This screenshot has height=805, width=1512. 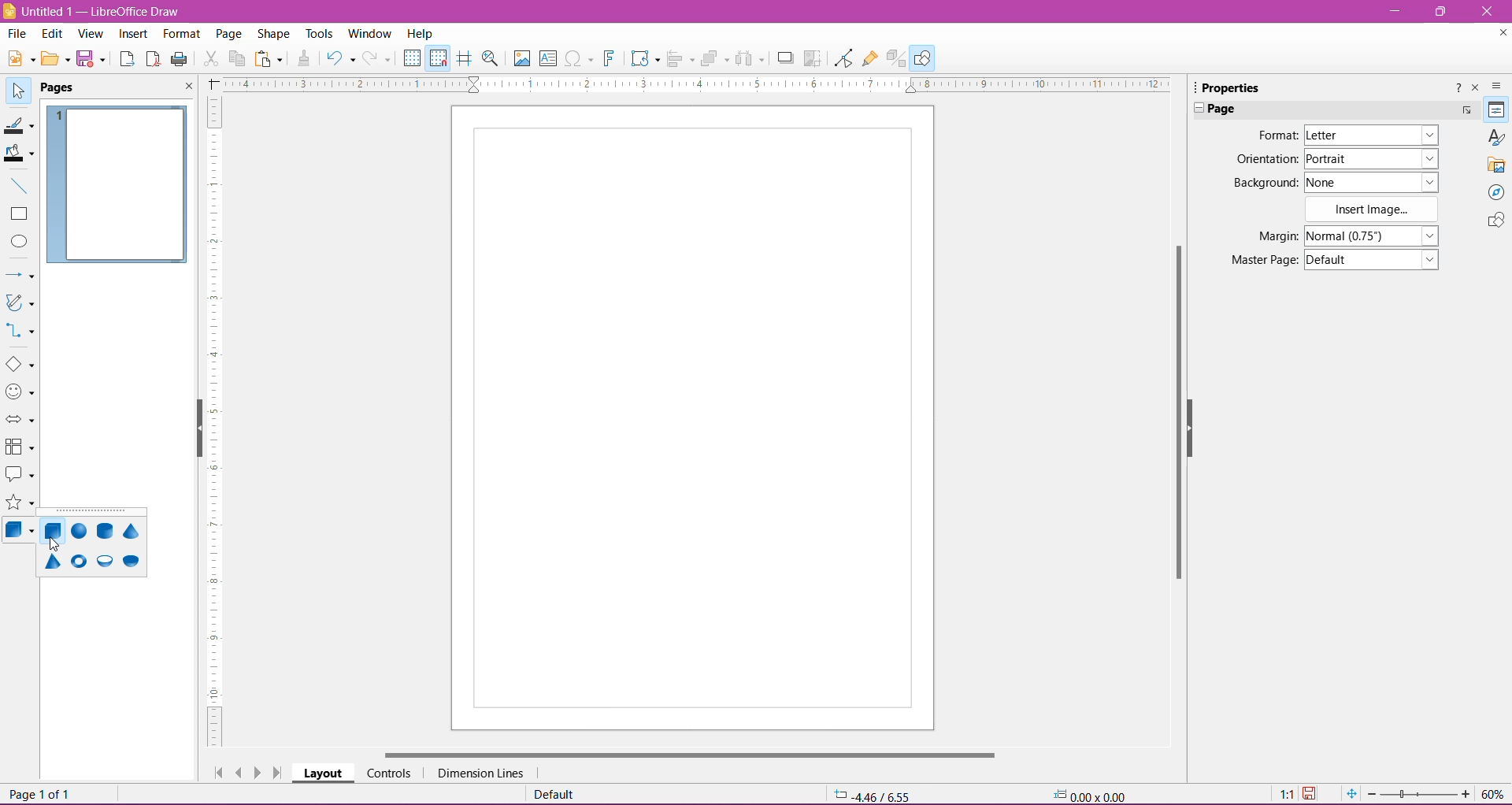 I want to click on Scroll to first page, so click(x=215, y=769).